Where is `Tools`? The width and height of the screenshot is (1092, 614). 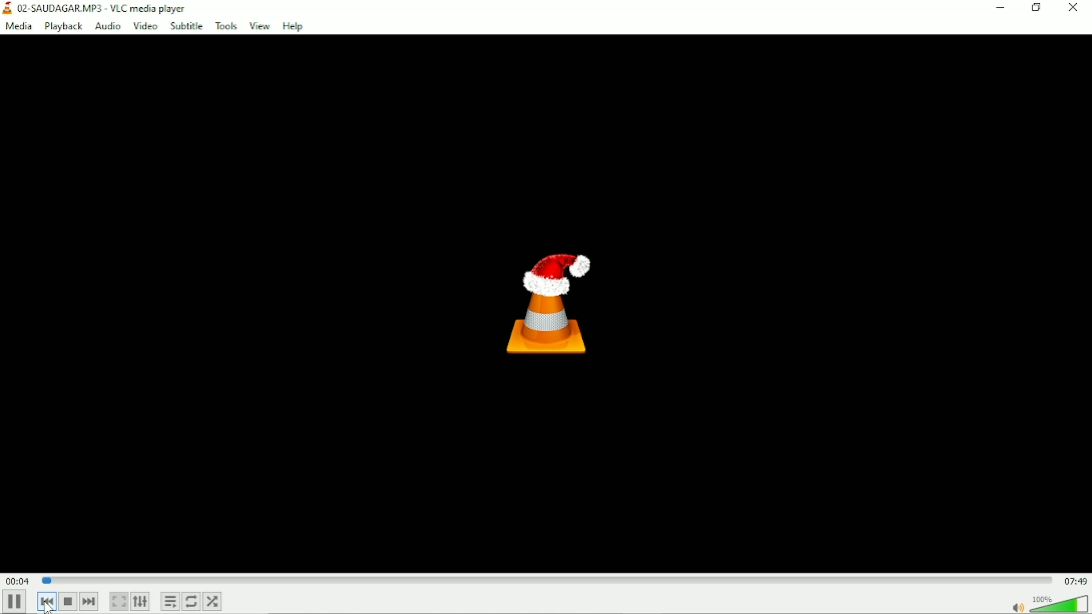 Tools is located at coordinates (224, 26).